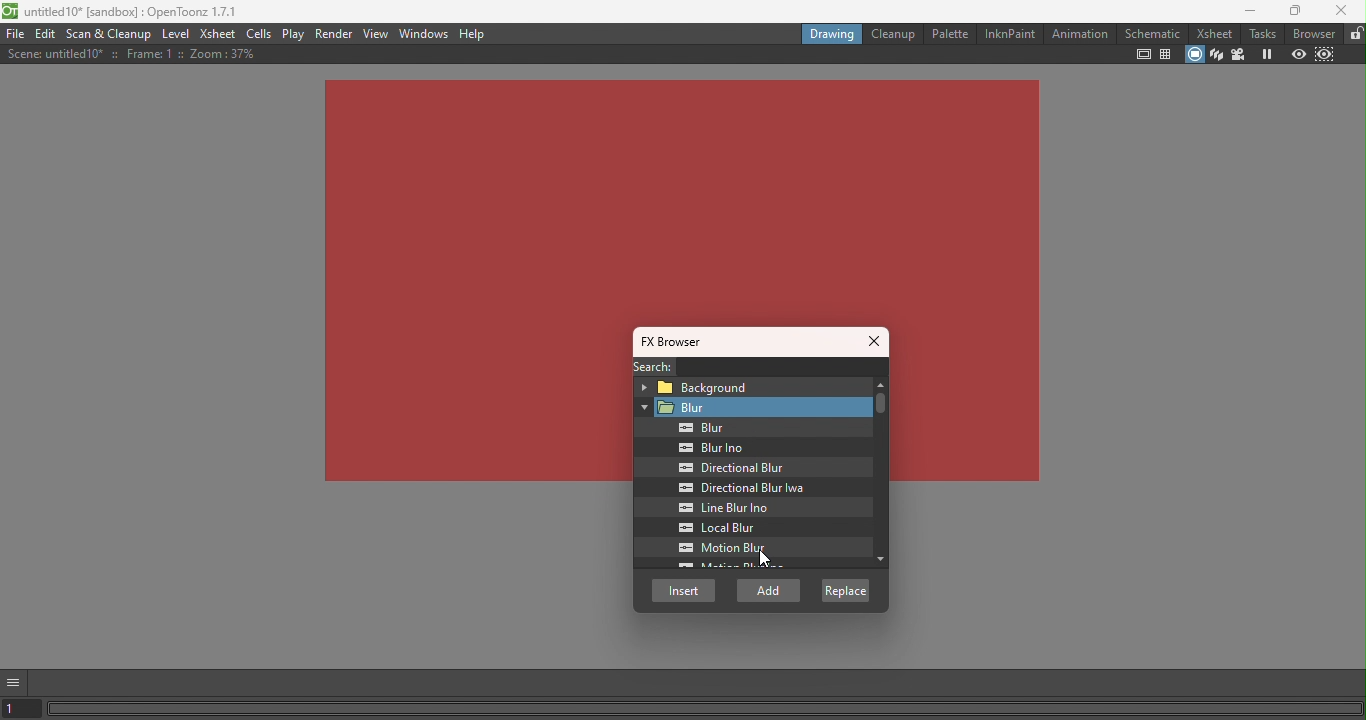 Image resolution: width=1366 pixels, height=720 pixels. What do you see at coordinates (1211, 32) in the screenshot?
I see `Xsheet` at bounding box center [1211, 32].